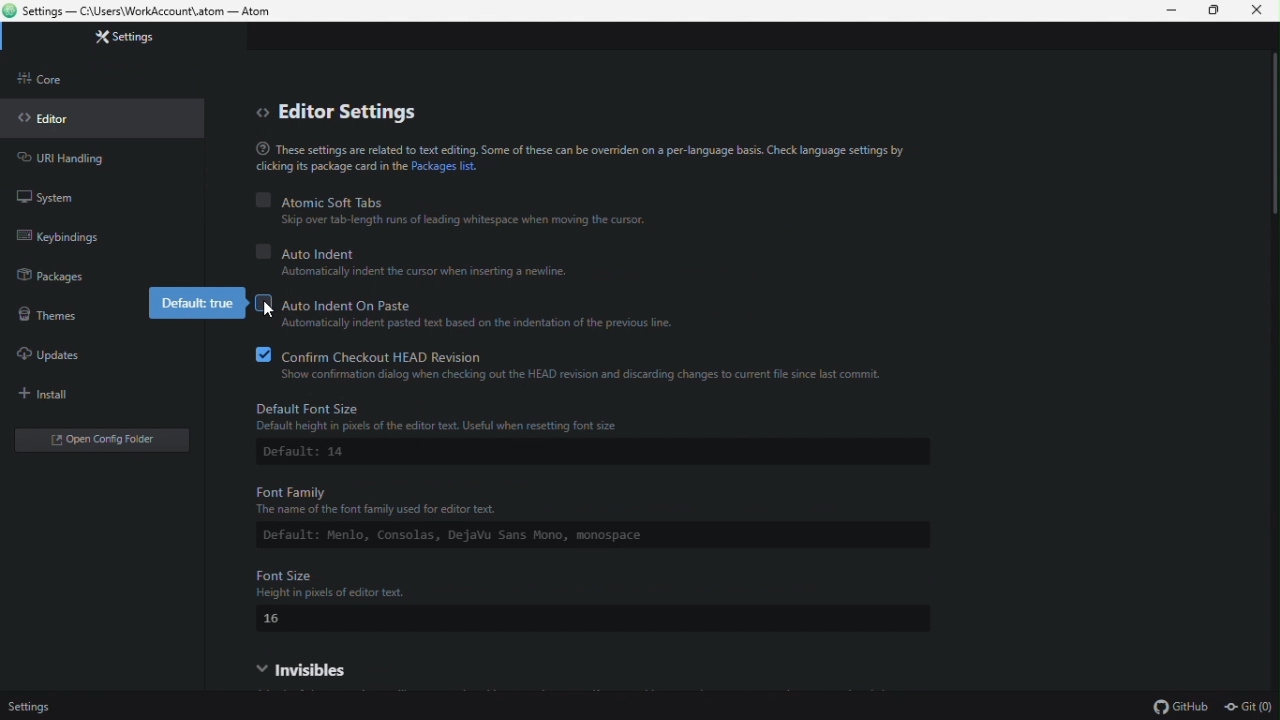 This screenshot has height=720, width=1280. I want to click on Auto indent on paste( disabled), so click(474, 301).